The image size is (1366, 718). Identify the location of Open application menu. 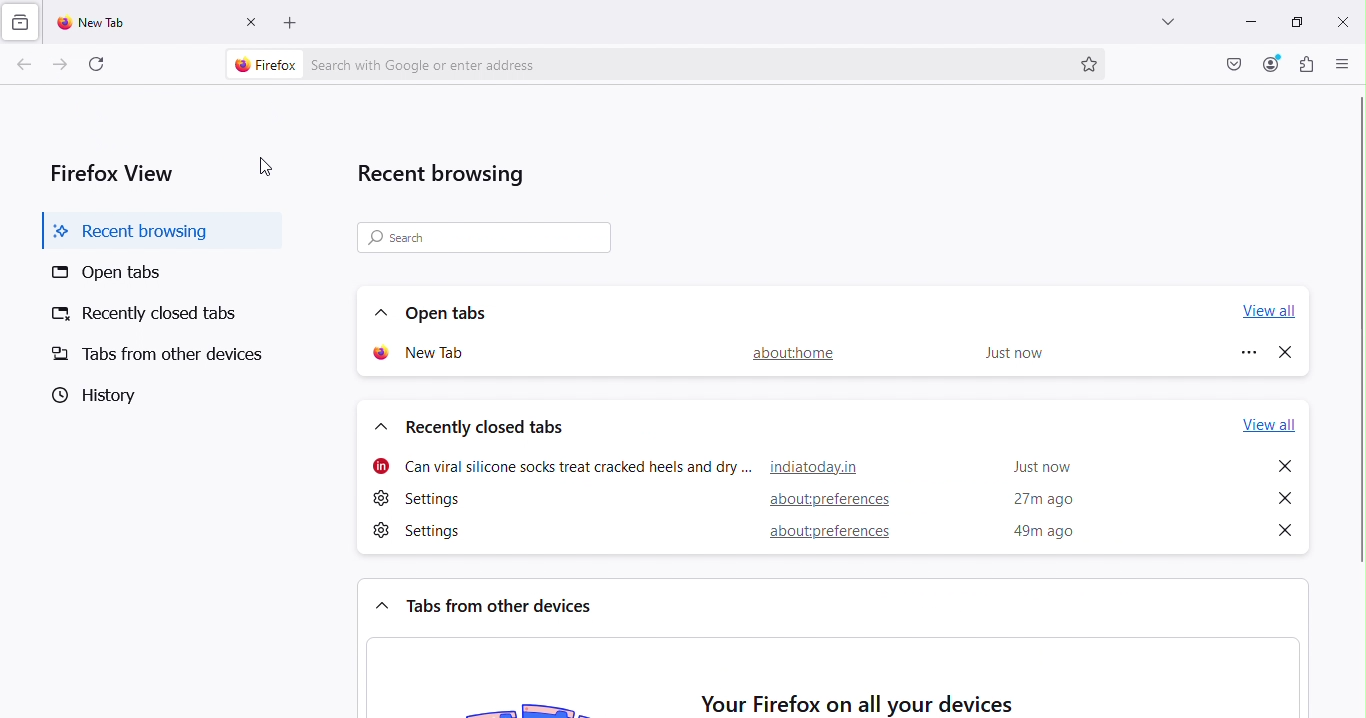
(1341, 64).